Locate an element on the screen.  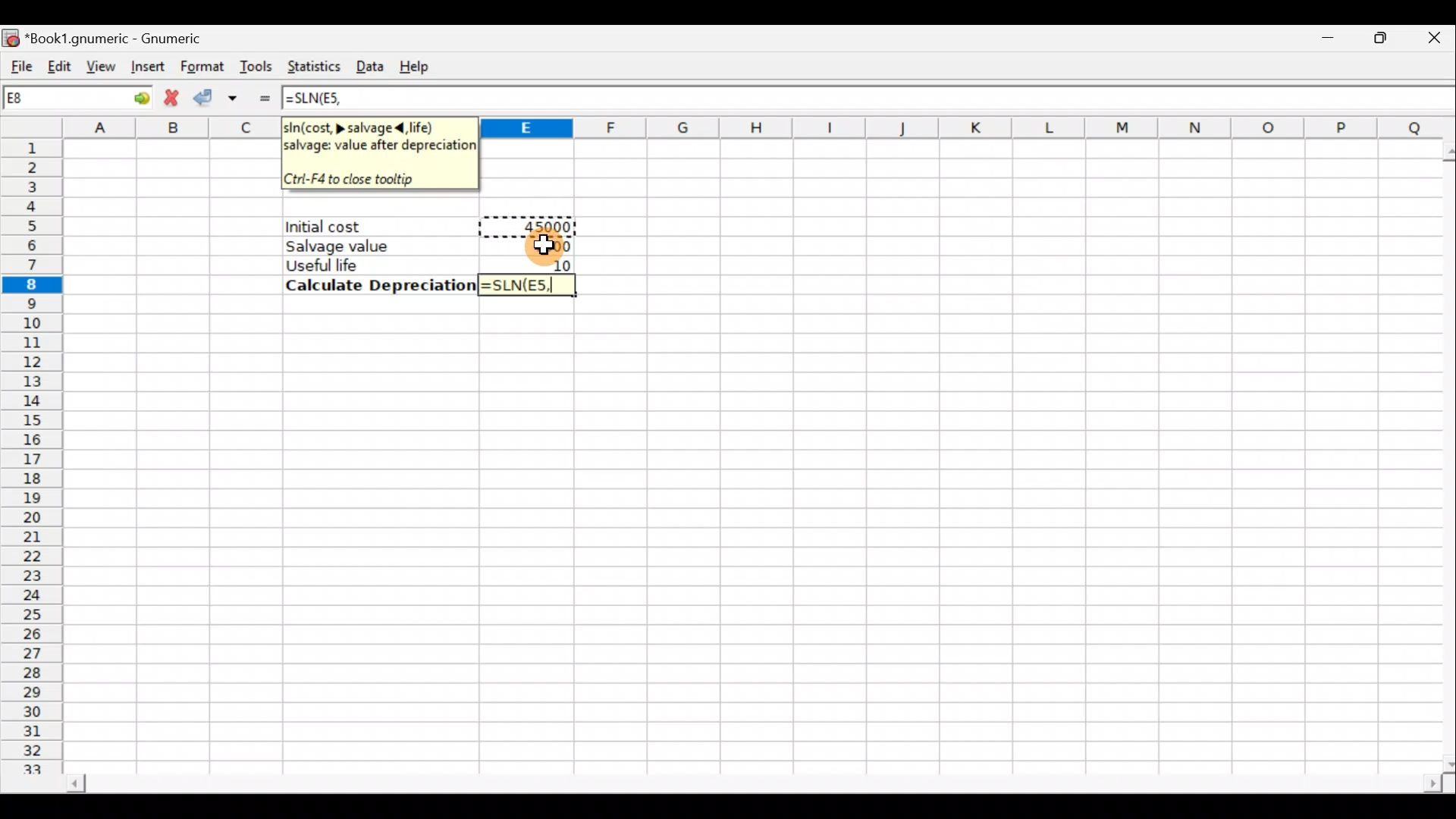
Salvage value is located at coordinates (369, 246).